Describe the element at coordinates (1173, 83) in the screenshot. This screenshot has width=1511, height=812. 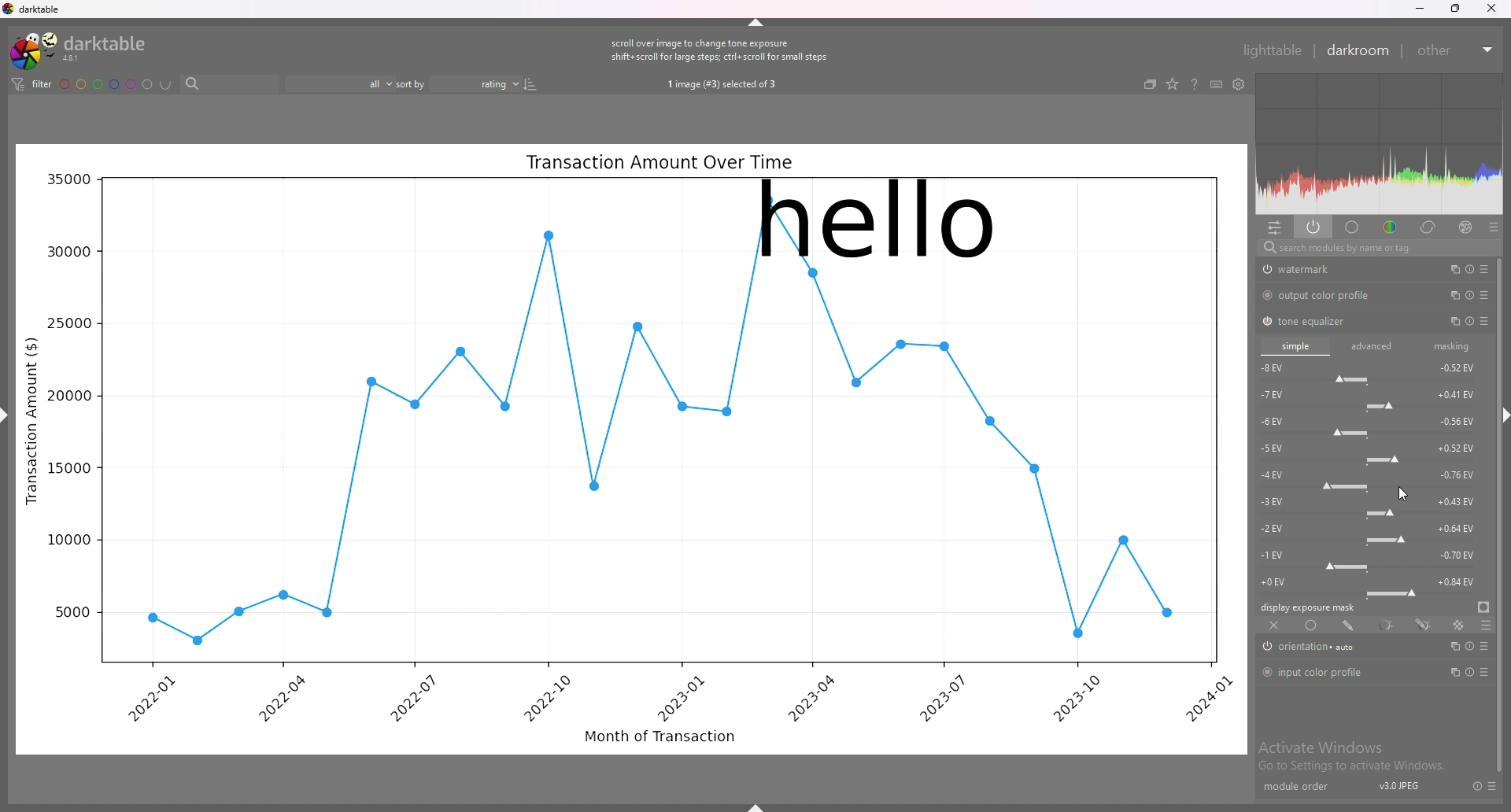
I see `change type of overlays` at that location.